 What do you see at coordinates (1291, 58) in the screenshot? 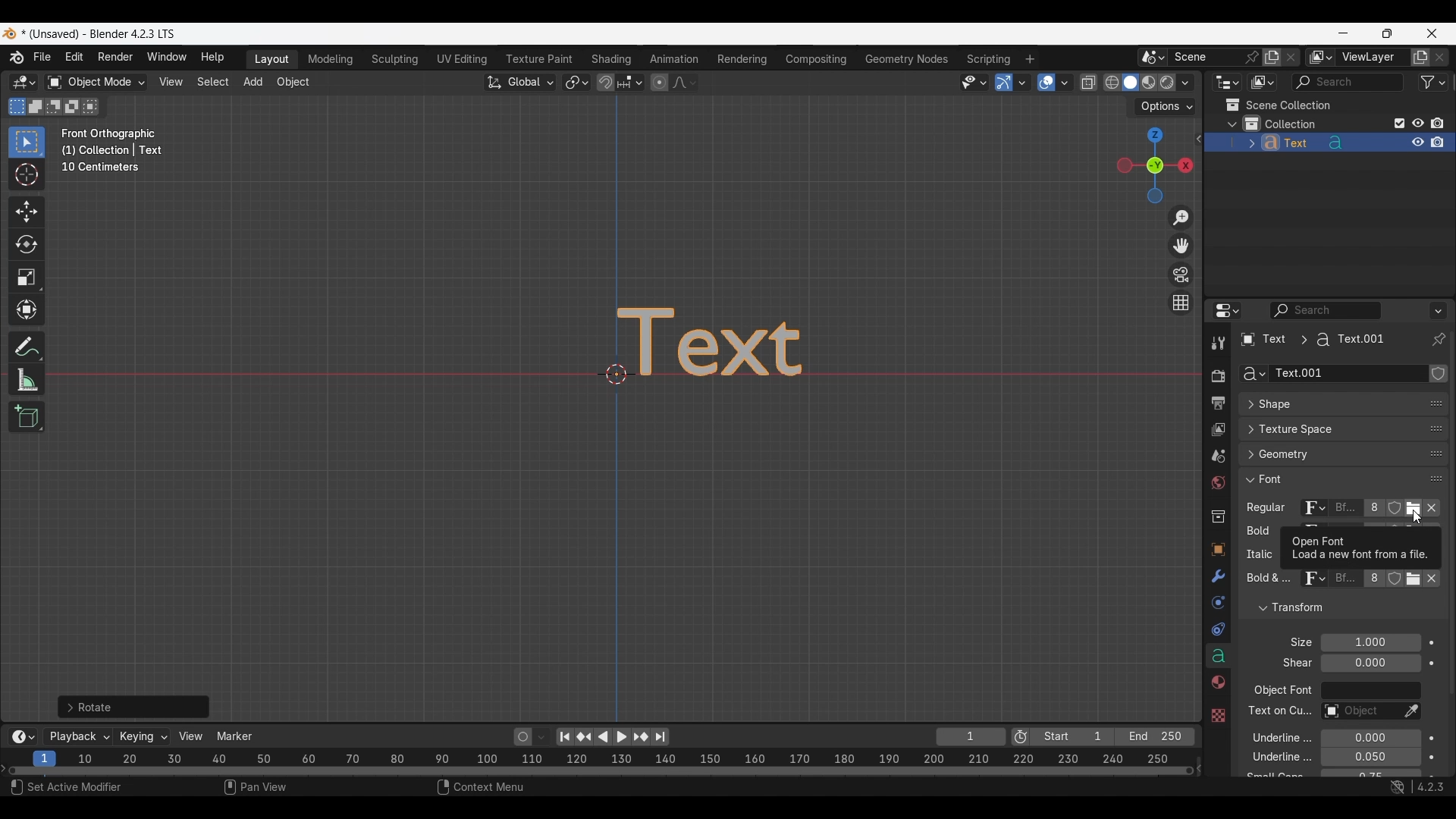
I see `Delete scene` at bounding box center [1291, 58].